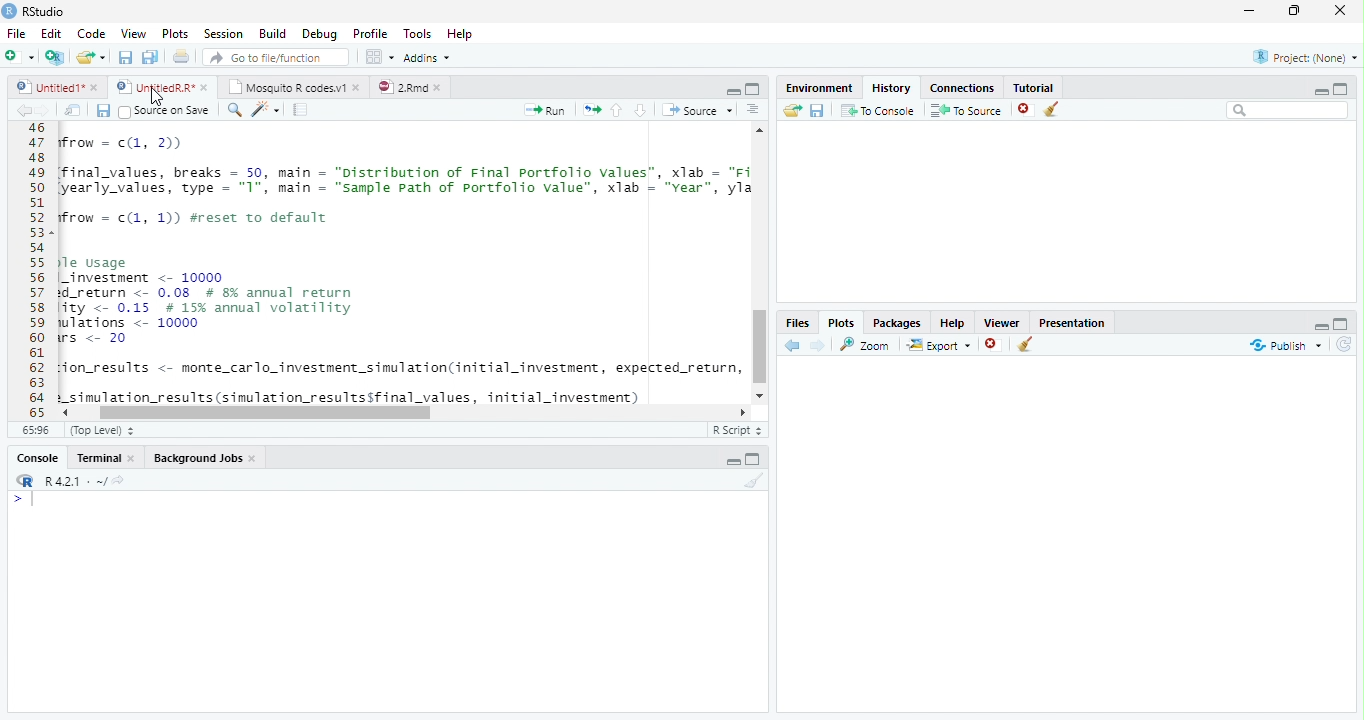 This screenshot has height=720, width=1364. Describe the element at coordinates (1343, 322) in the screenshot. I see `Full Height` at that location.